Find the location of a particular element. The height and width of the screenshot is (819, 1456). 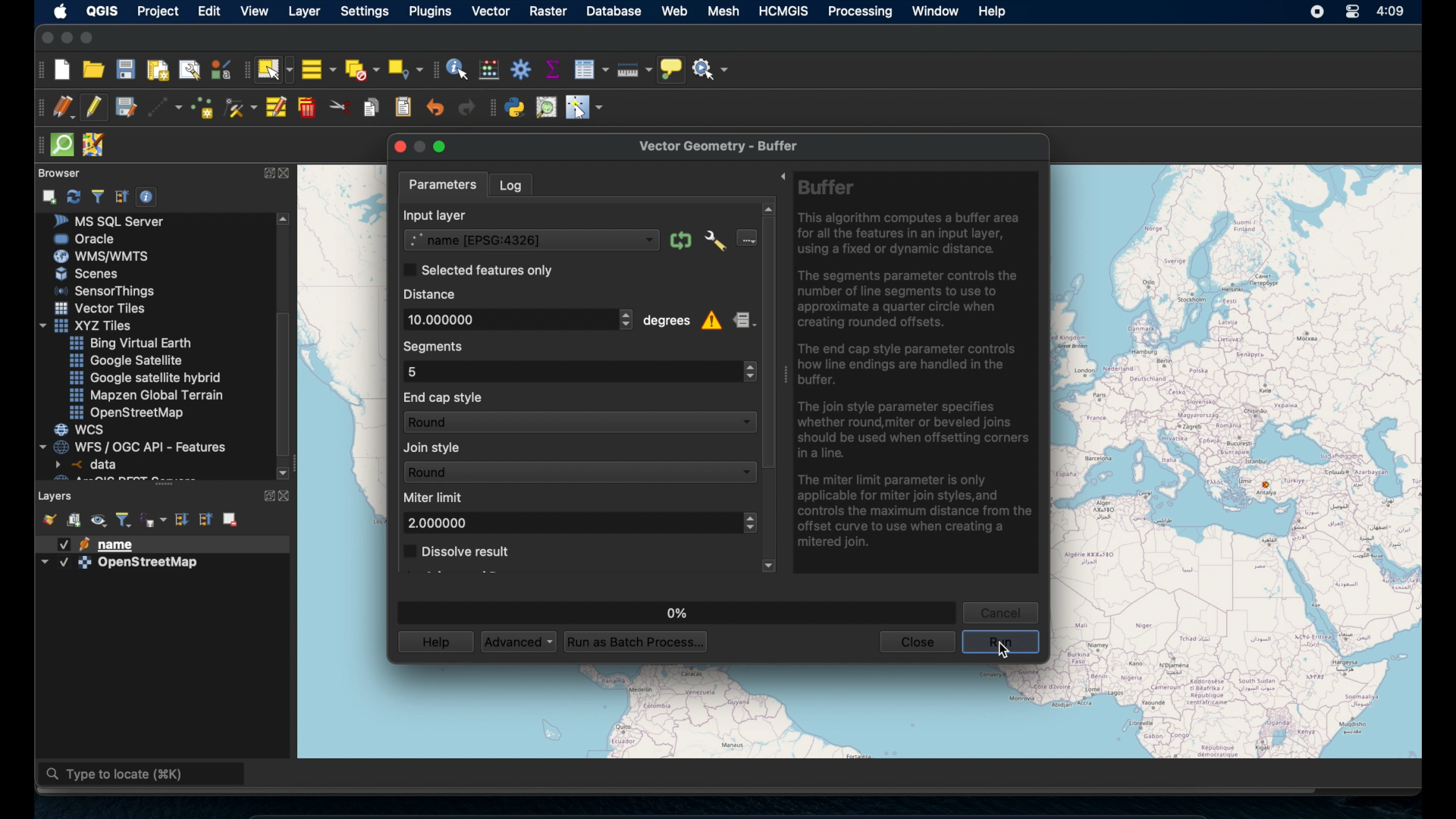

filter legend is located at coordinates (124, 518).